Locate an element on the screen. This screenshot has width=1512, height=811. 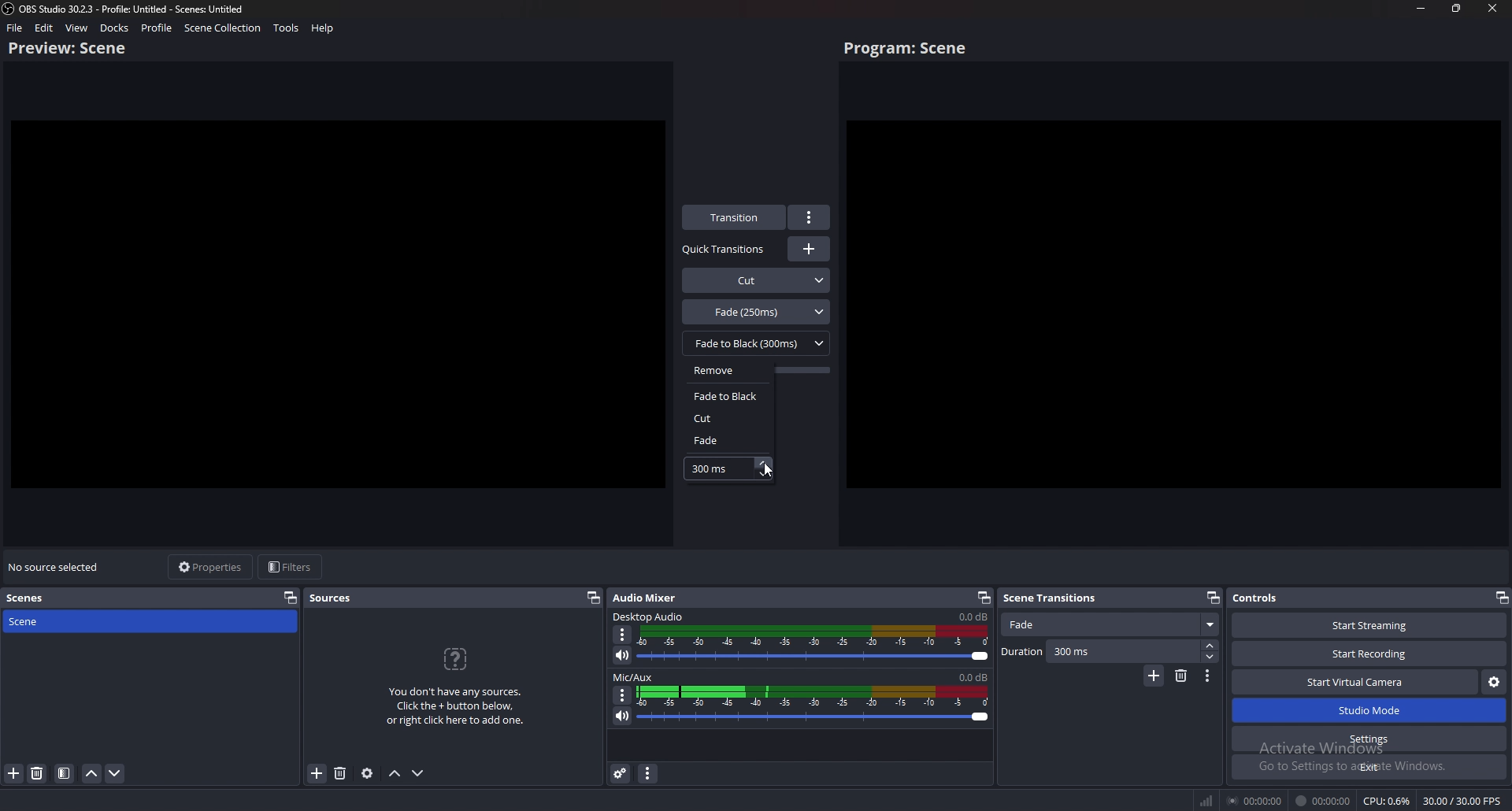
decrease duration is located at coordinates (765, 475).